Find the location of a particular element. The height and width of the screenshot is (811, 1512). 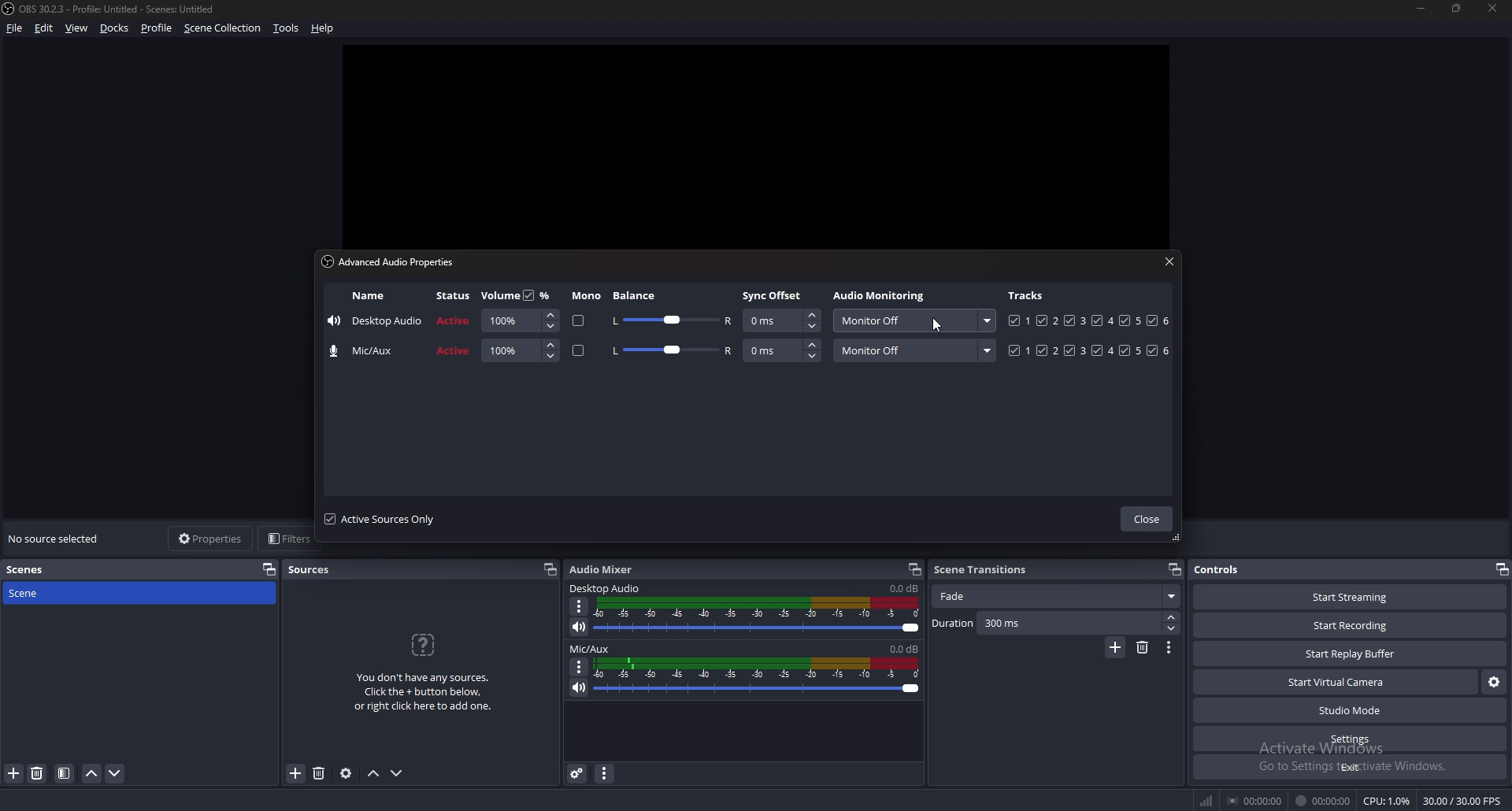

move scene up is located at coordinates (91, 773).